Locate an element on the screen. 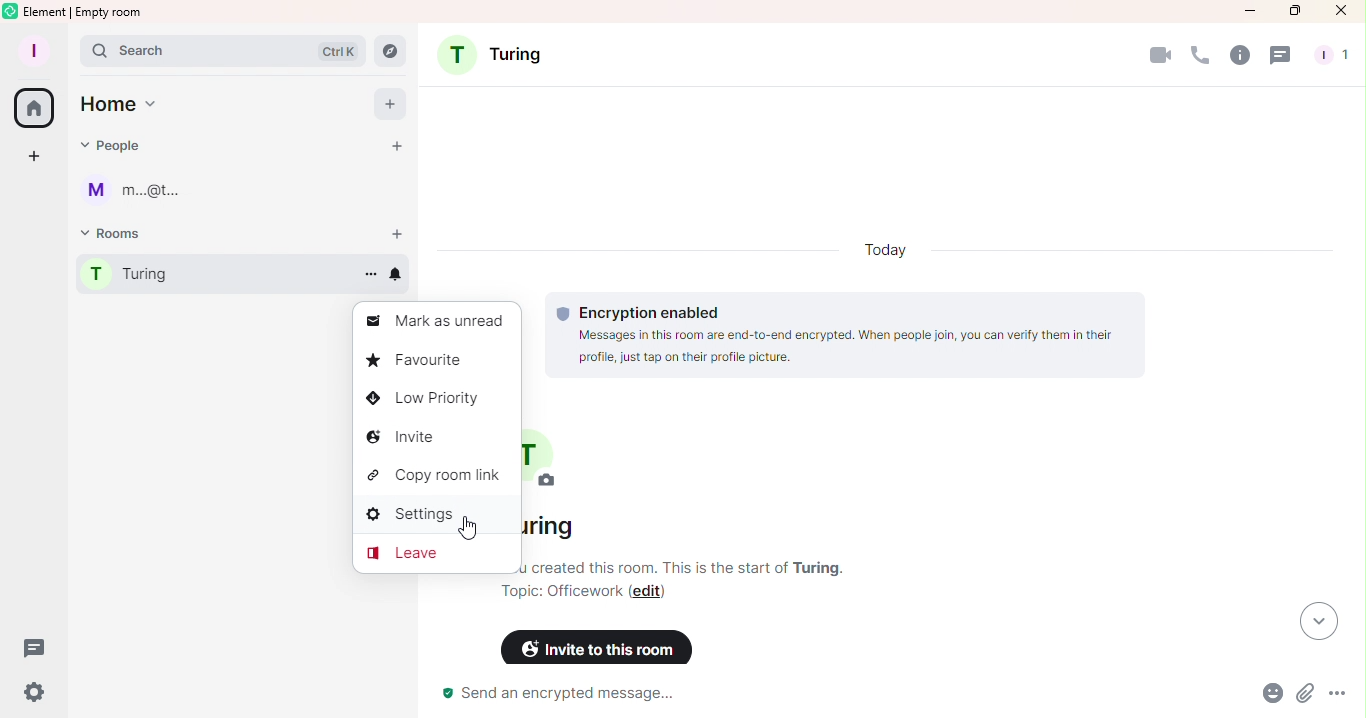 The image size is (1366, 718). Low priority is located at coordinates (430, 399).